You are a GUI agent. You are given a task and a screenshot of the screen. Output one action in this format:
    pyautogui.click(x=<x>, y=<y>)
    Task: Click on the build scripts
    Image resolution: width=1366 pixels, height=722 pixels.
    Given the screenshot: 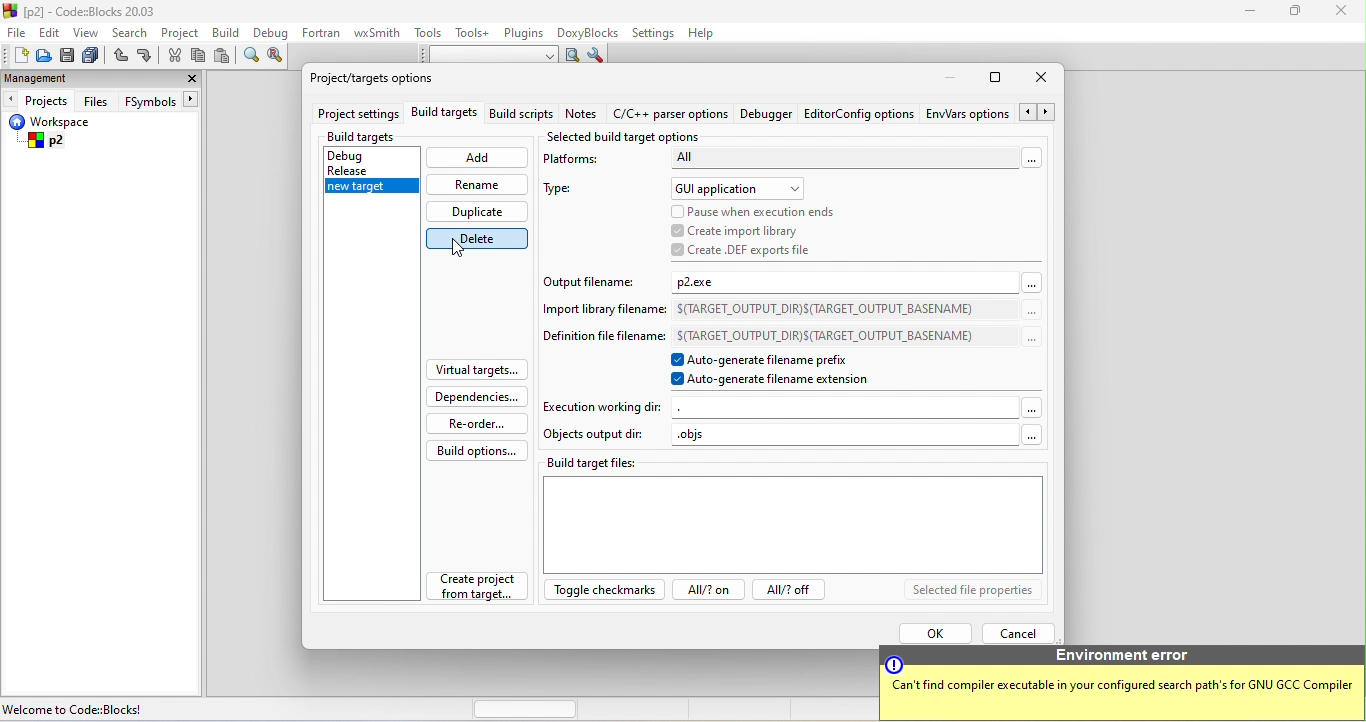 What is the action you would take?
    pyautogui.click(x=520, y=116)
    